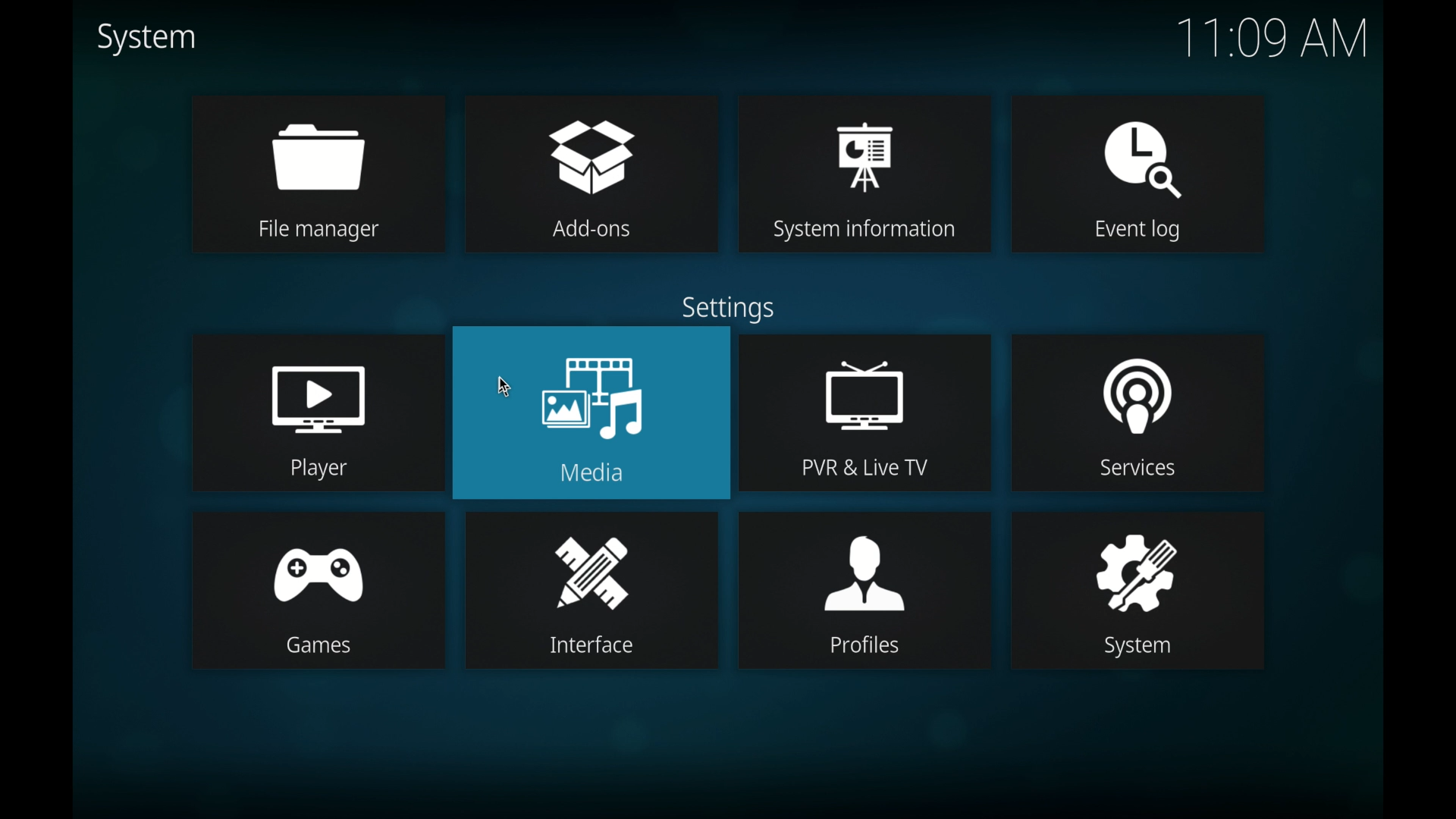 This screenshot has width=1456, height=819. Describe the element at coordinates (865, 590) in the screenshot. I see `profiles` at that location.